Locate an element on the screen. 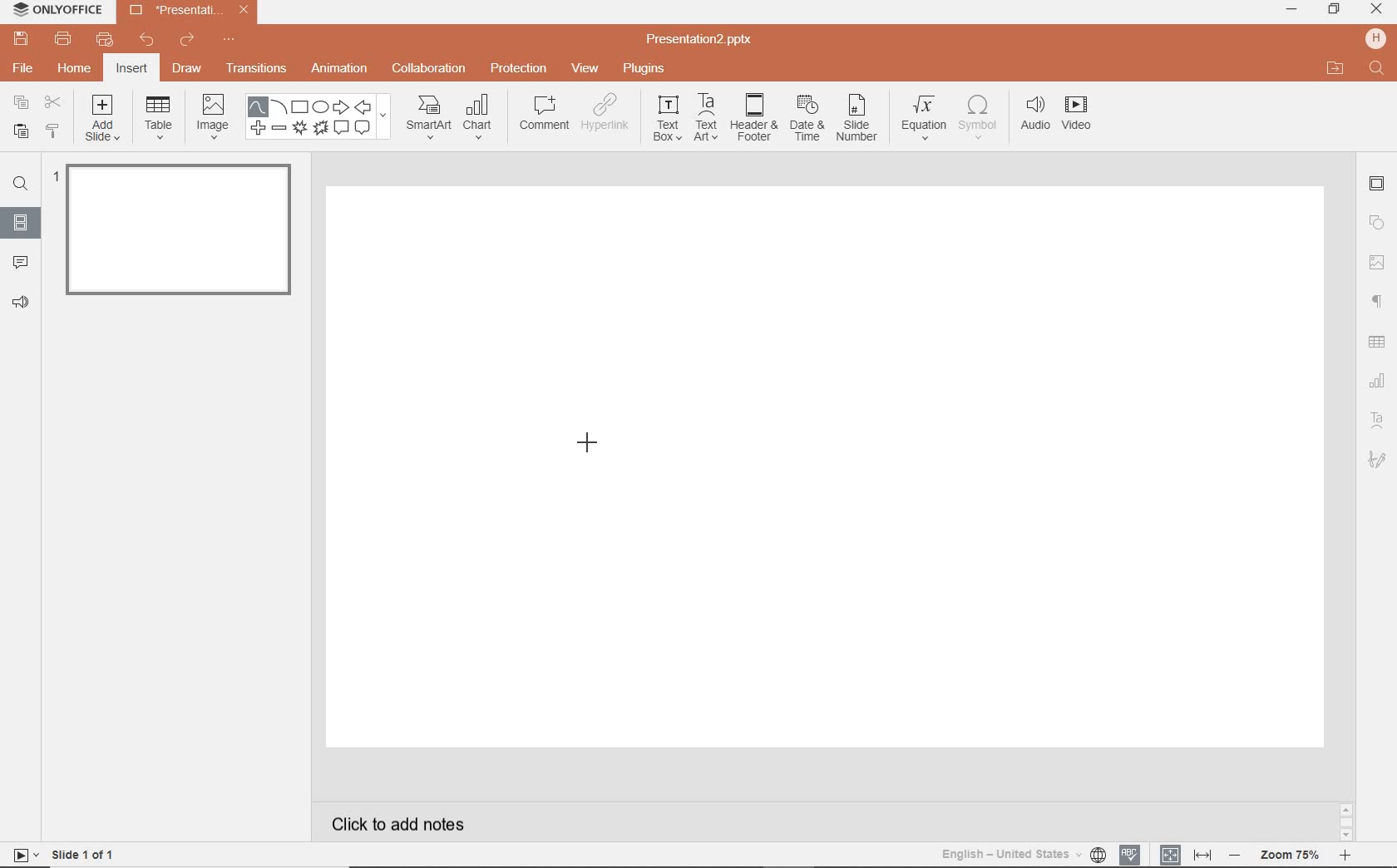 This screenshot has height=868, width=1397. COMMENT is located at coordinates (542, 116).